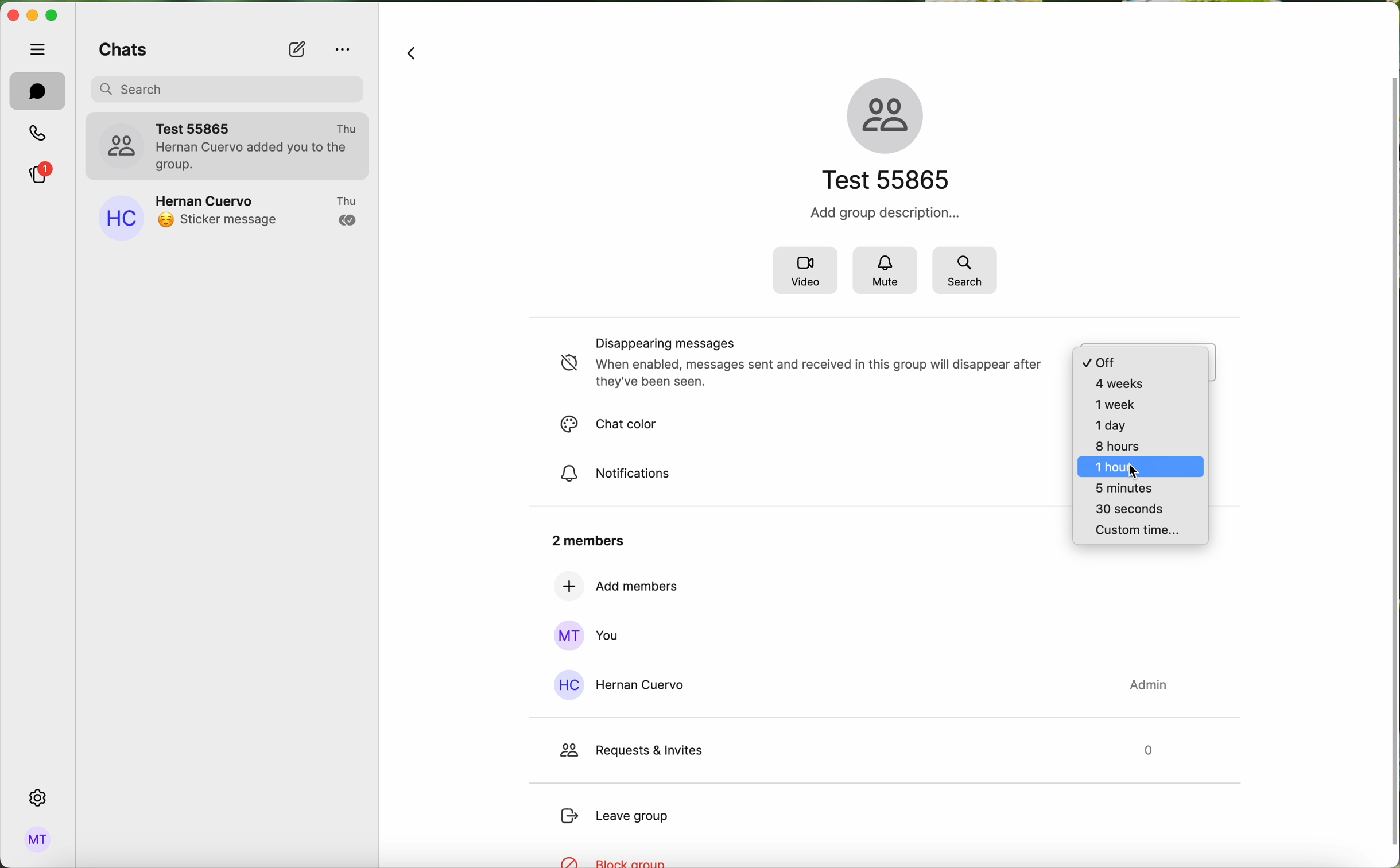  What do you see at coordinates (856, 753) in the screenshot?
I see `request & invites` at bounding box center [856, 753].